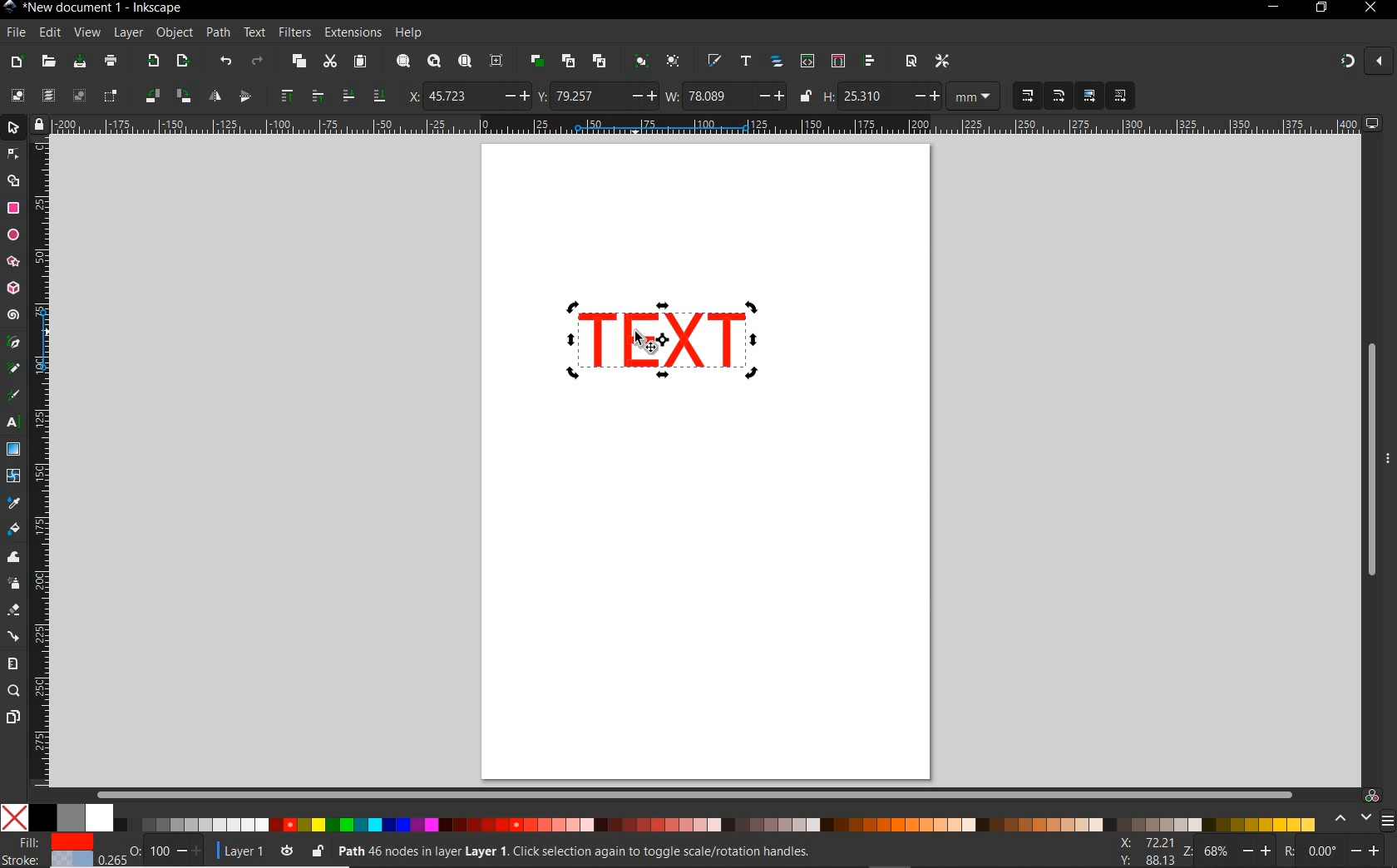 This screenshot has width=1397, height=868. What do you see at coordinates (94, 7) in the screenshot?
I see `FILE NAME` at bounding box center [94, 7].